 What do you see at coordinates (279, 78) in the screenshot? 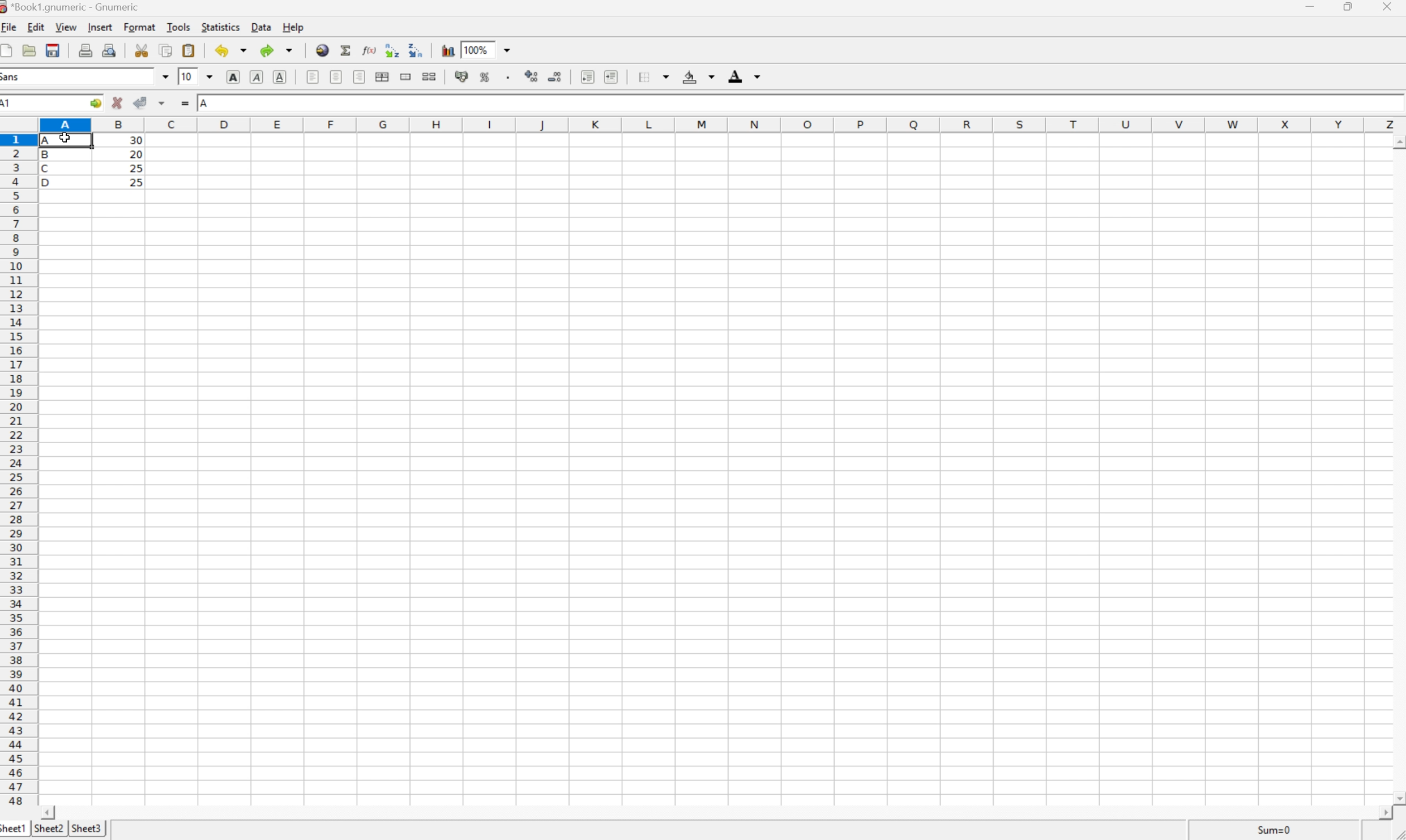
I see `Underline` at bounding box center [279, 78].